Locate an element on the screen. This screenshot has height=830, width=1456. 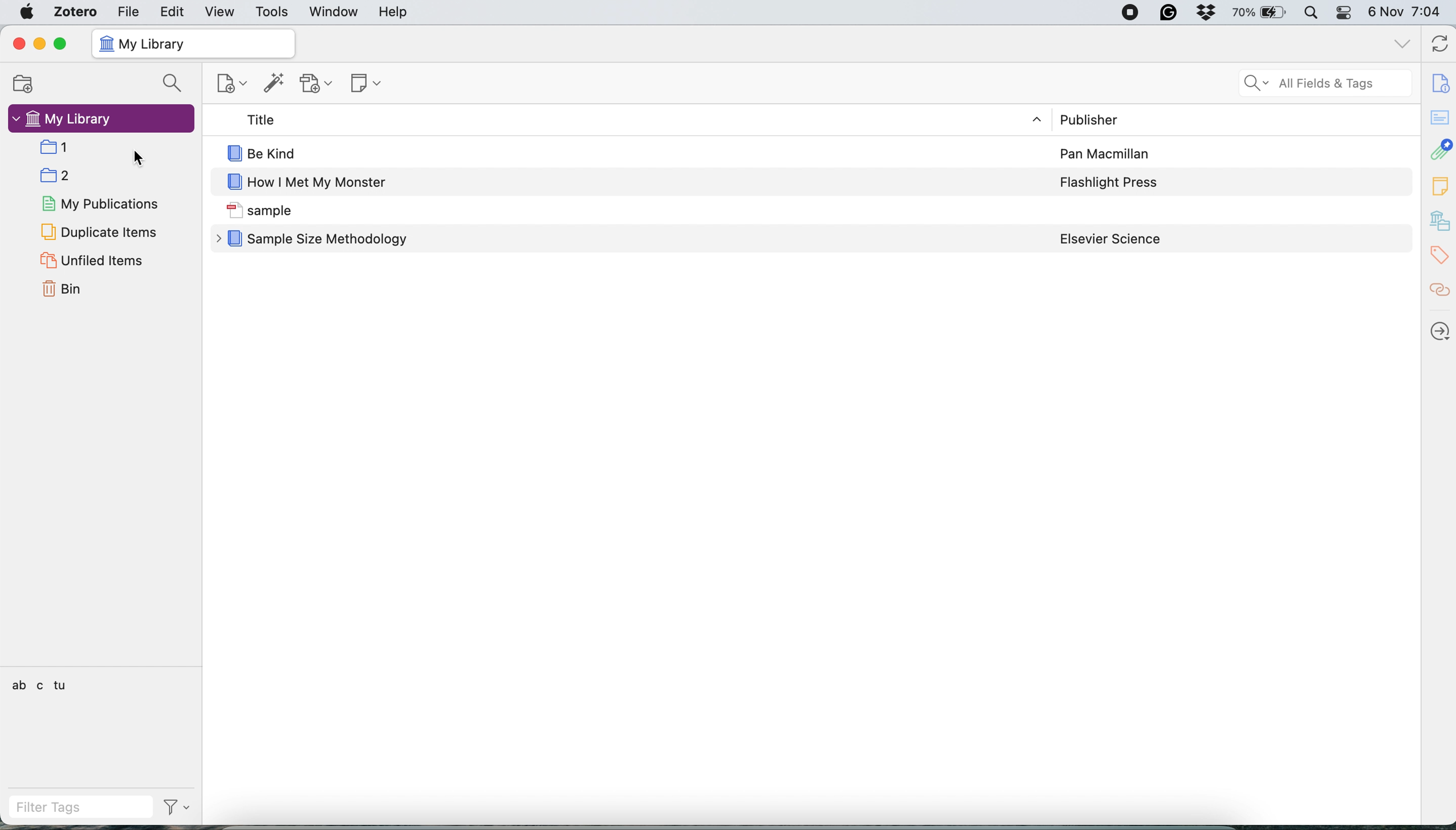
icon is located at coordinates (233, 183).